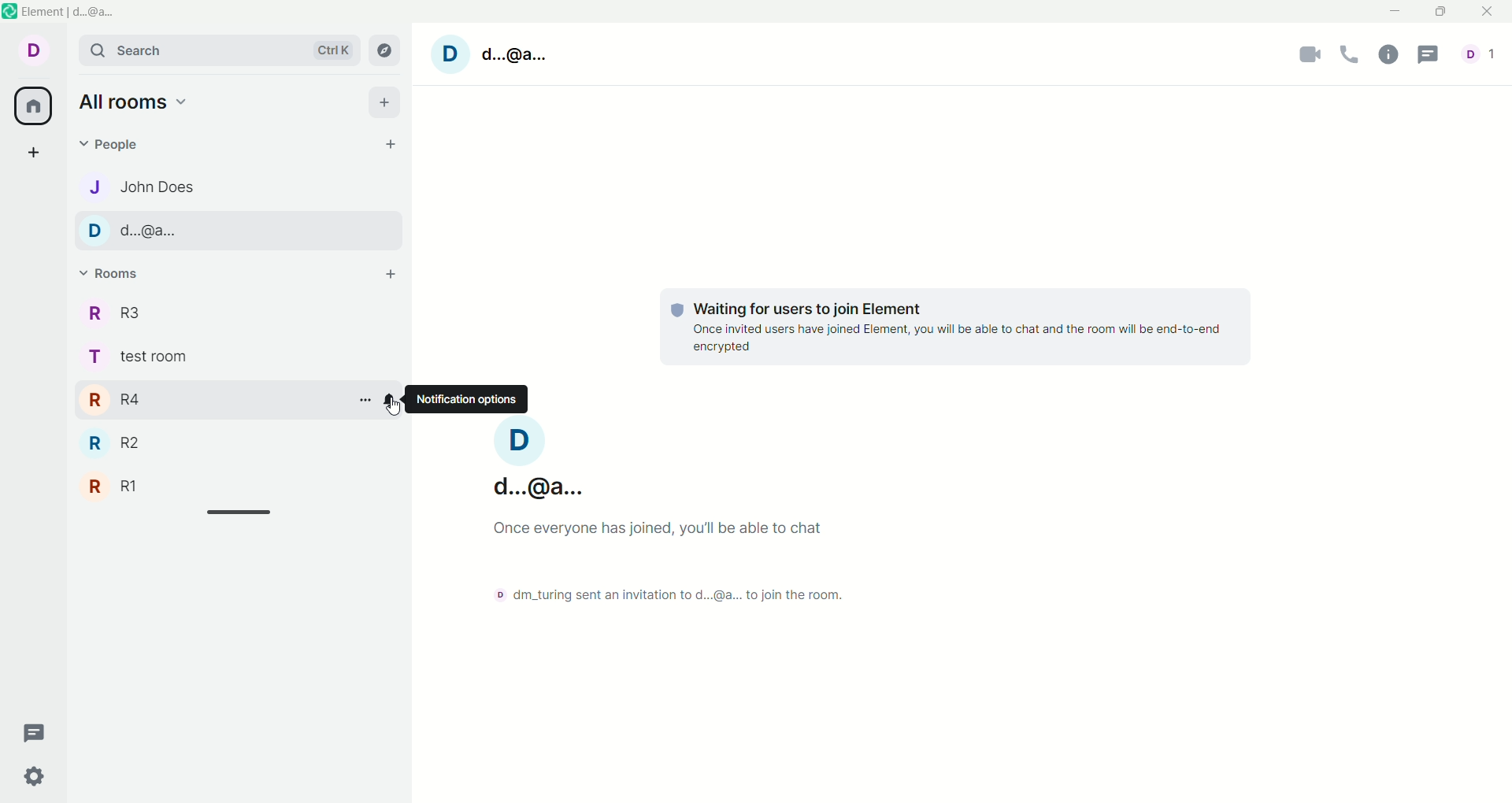 This screenshot has width=1512, height=803. What do you see at coordinates (394, 406) in the screenshot?
I see `Cursor` at bounding box center [394, 406].